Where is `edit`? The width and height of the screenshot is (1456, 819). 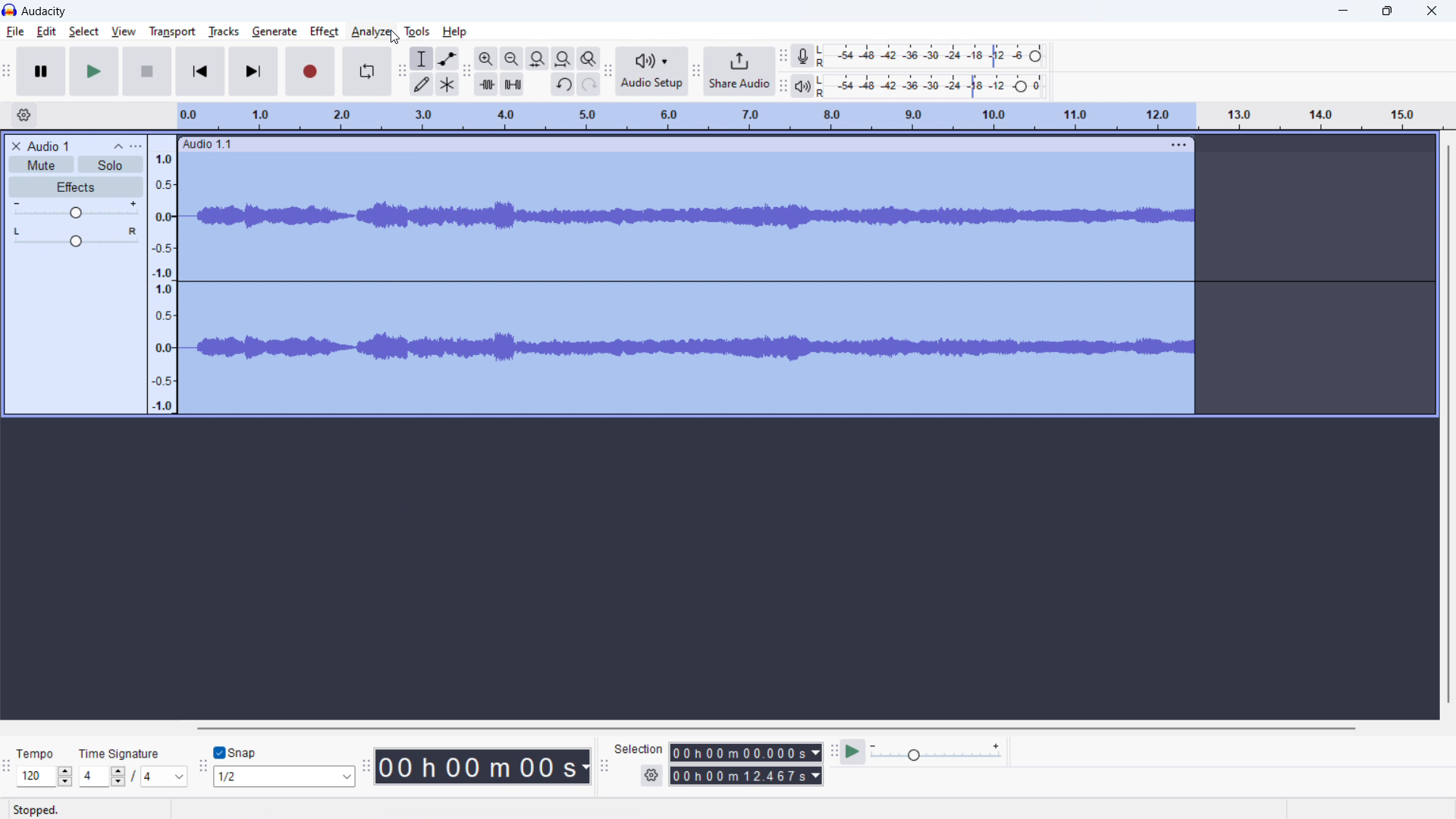
edit is located at coordinates (47, 32).